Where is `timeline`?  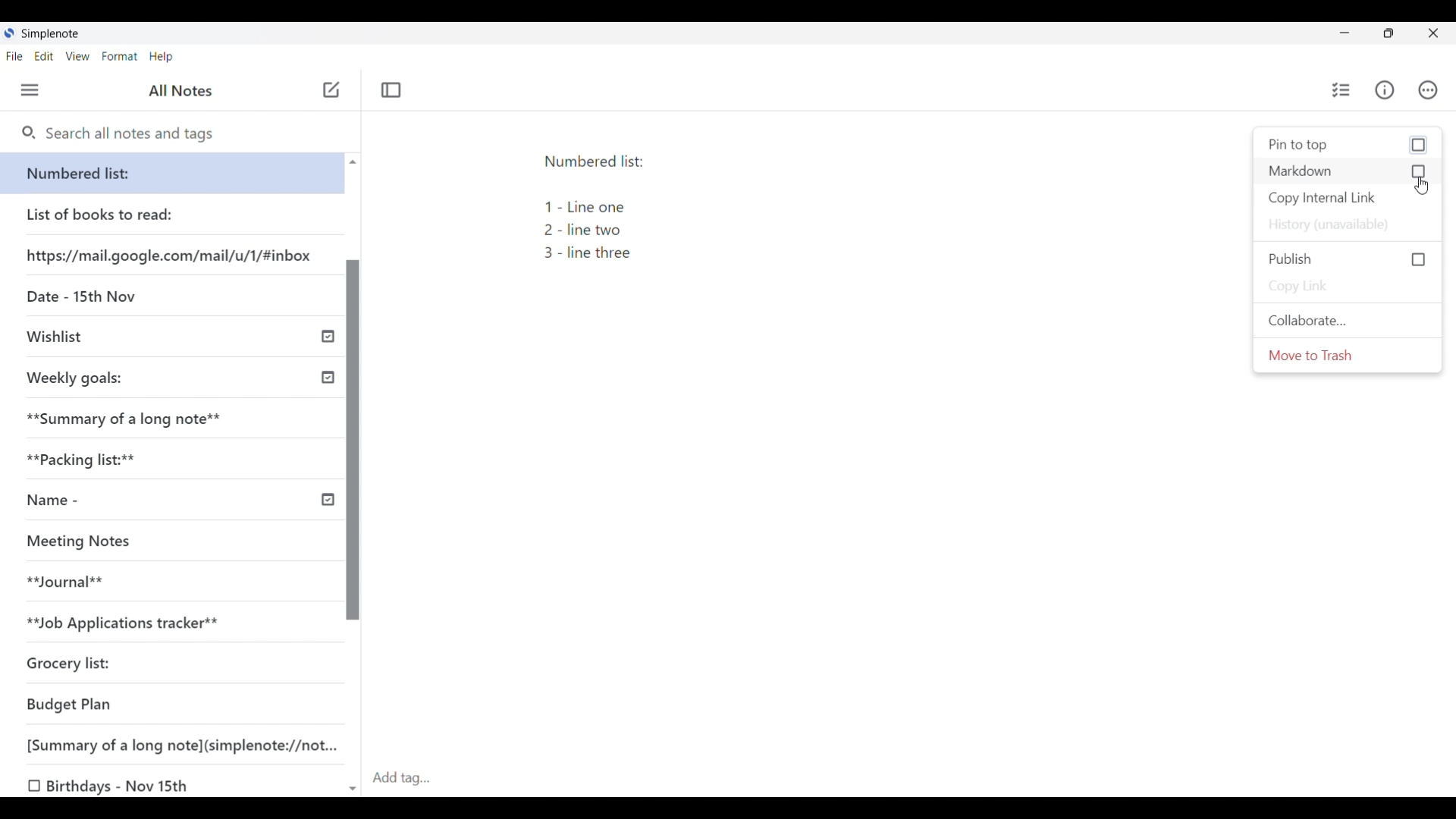 timeline is located at coordinates (327, 376).